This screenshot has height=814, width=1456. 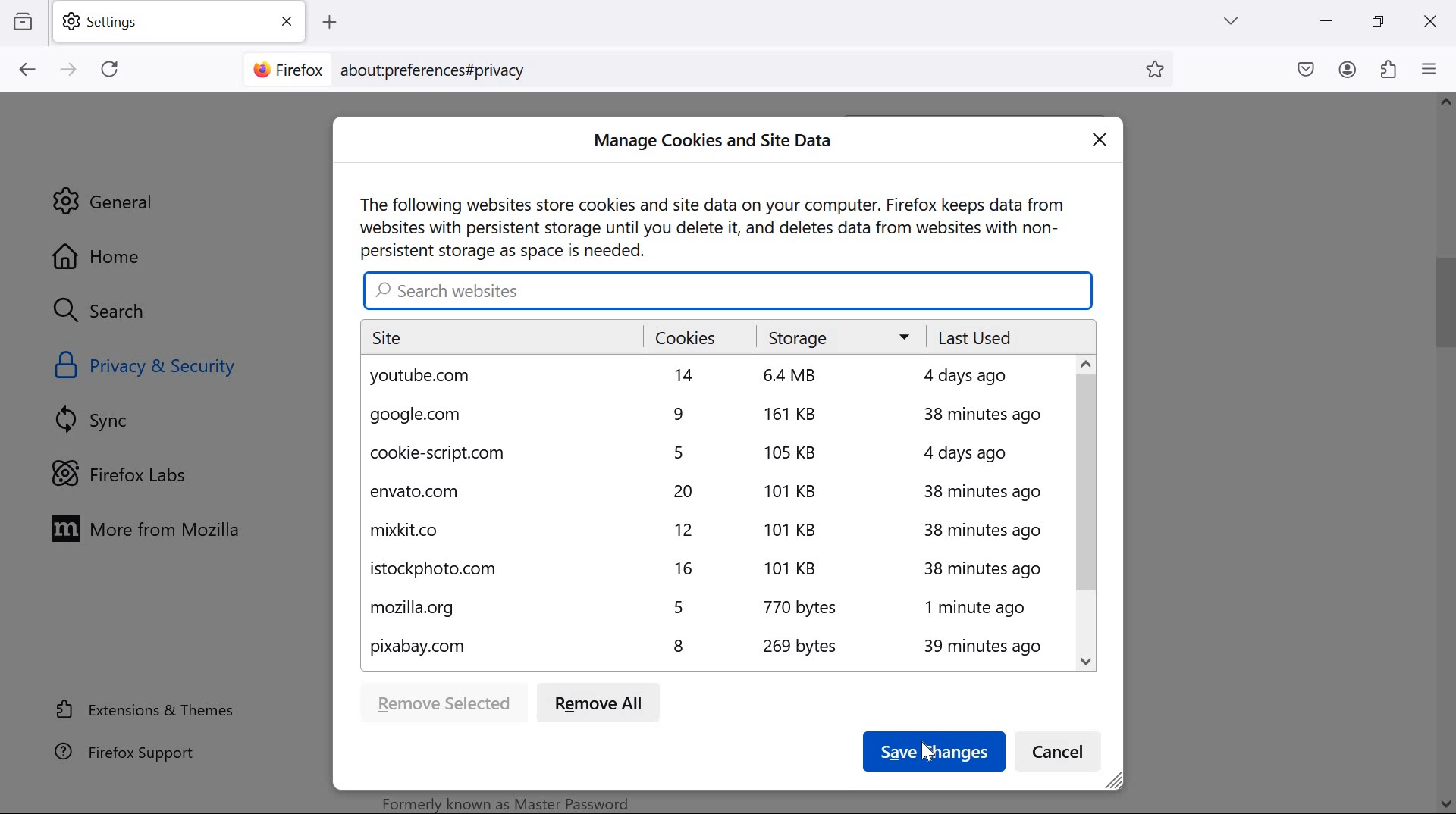 What do you see at coordinates (1432, 68) in the screenshot?
I see `open application menu` at bounding box center [1432, 68].